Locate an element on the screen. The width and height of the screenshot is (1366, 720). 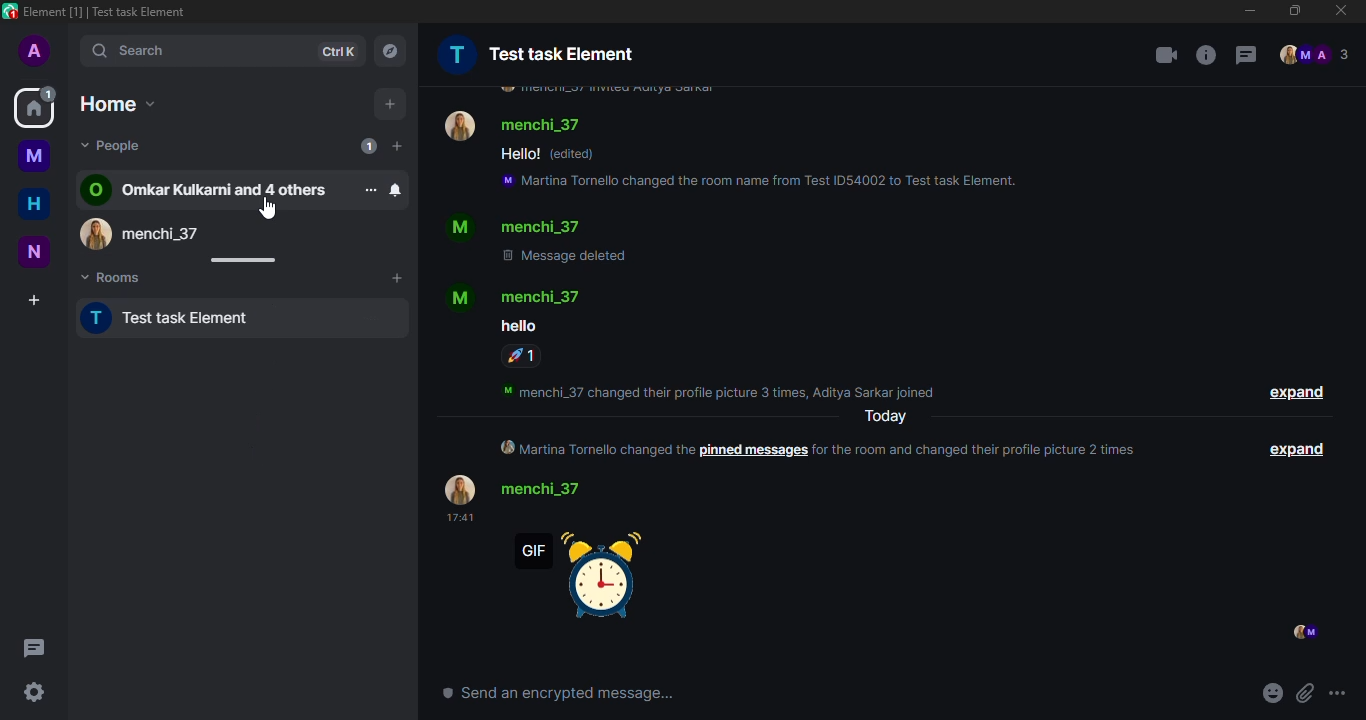
17:41 is located at coordinates (459, 518).